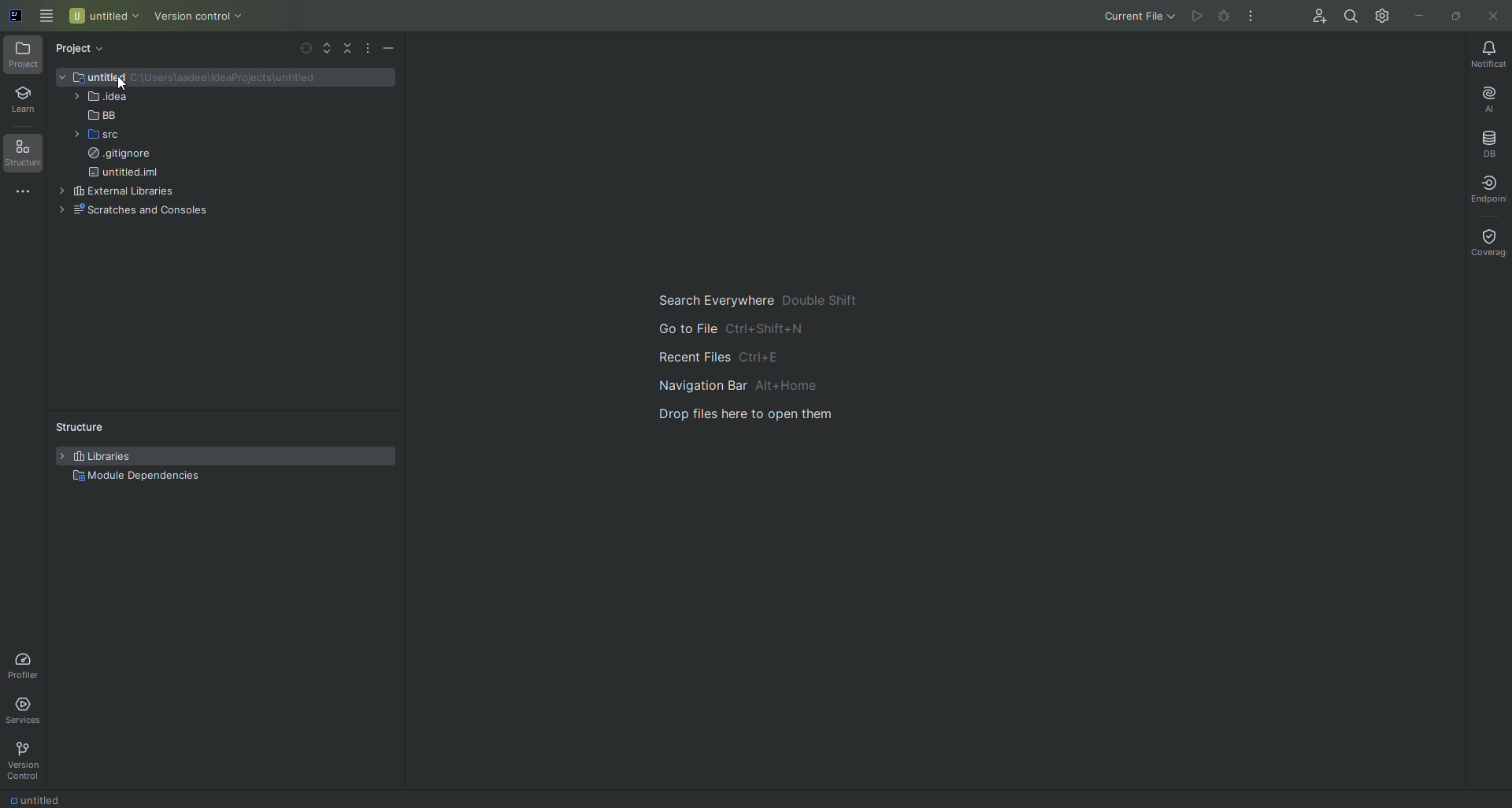 The height and width of the screenshot is (808, 1512). What do you see at coordinates (1194, 17) in the screenshot?
I see `Run` at bounding box center [1194, 17].